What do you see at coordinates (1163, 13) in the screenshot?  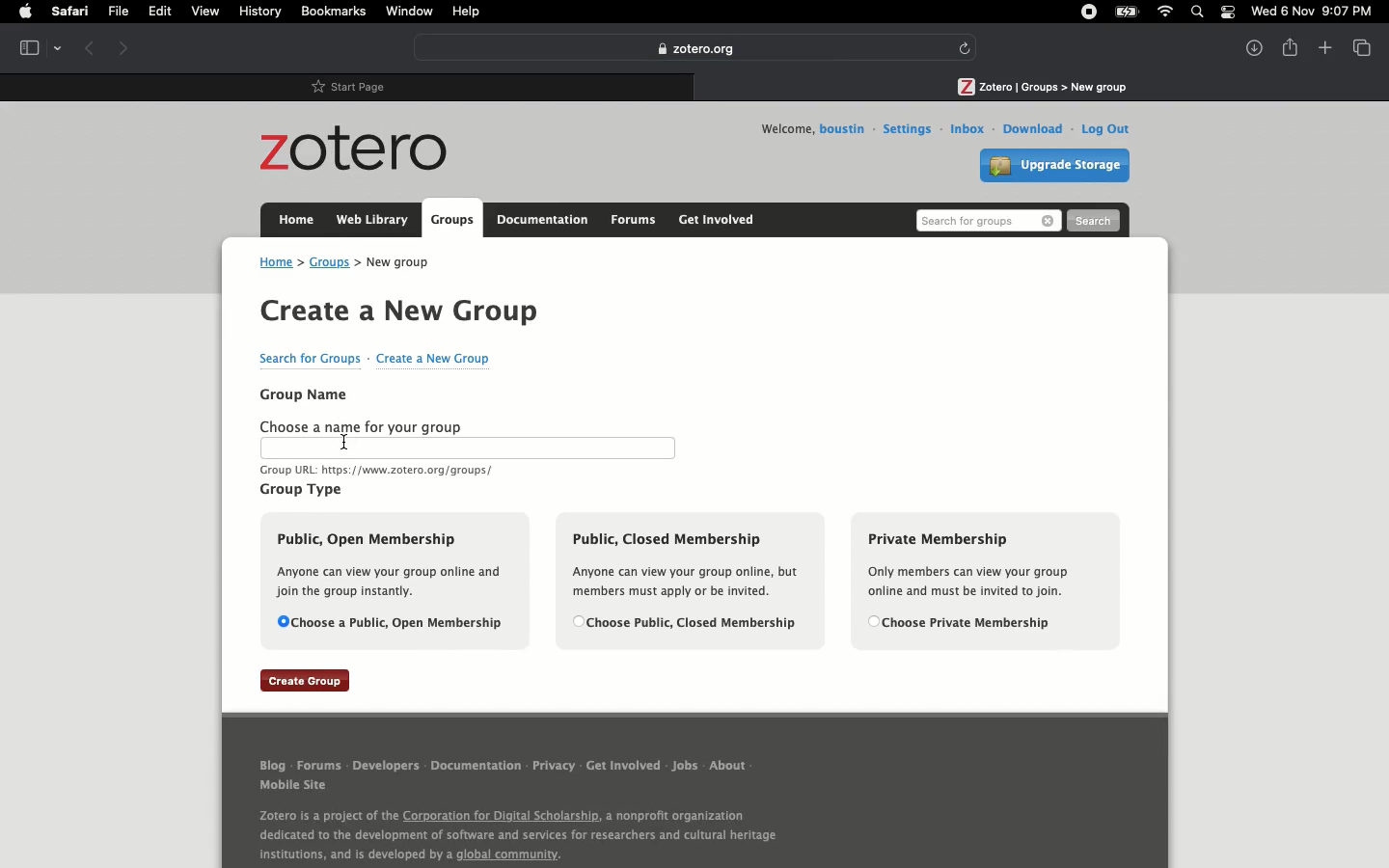 I see `Internet` at bounding box center [1163, 13].